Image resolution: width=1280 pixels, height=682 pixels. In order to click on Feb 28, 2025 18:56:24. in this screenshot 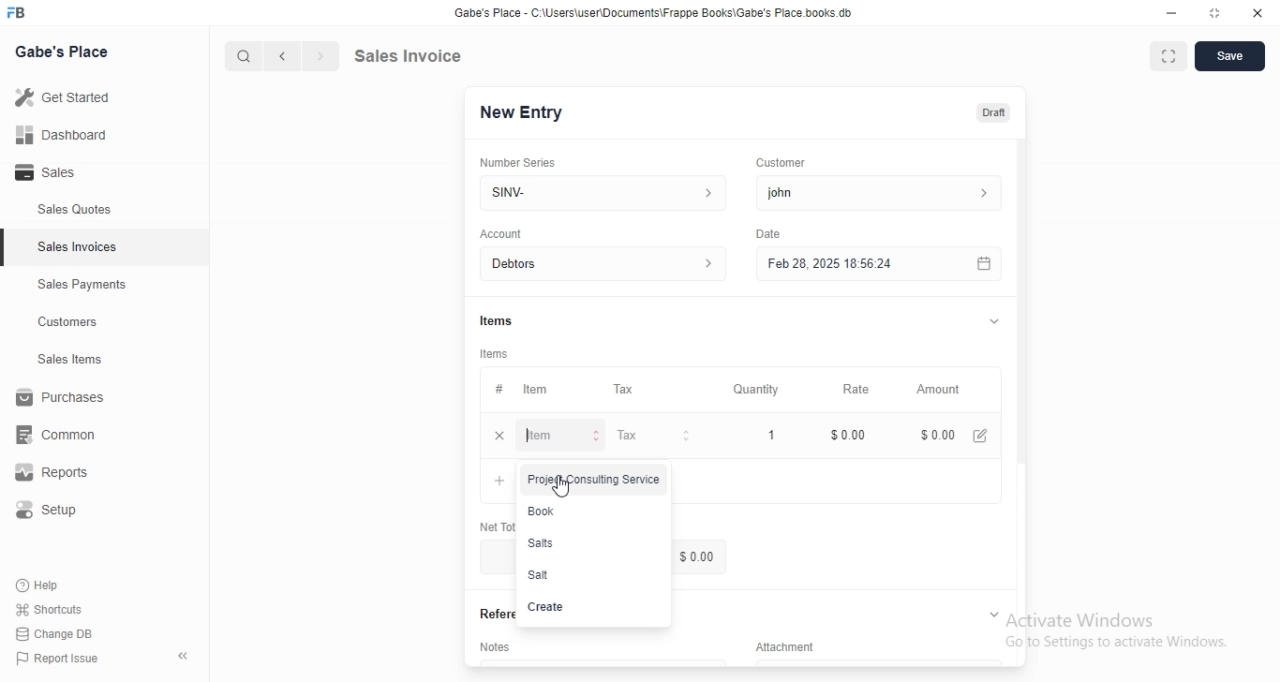, I will do `click(875, 262)`.